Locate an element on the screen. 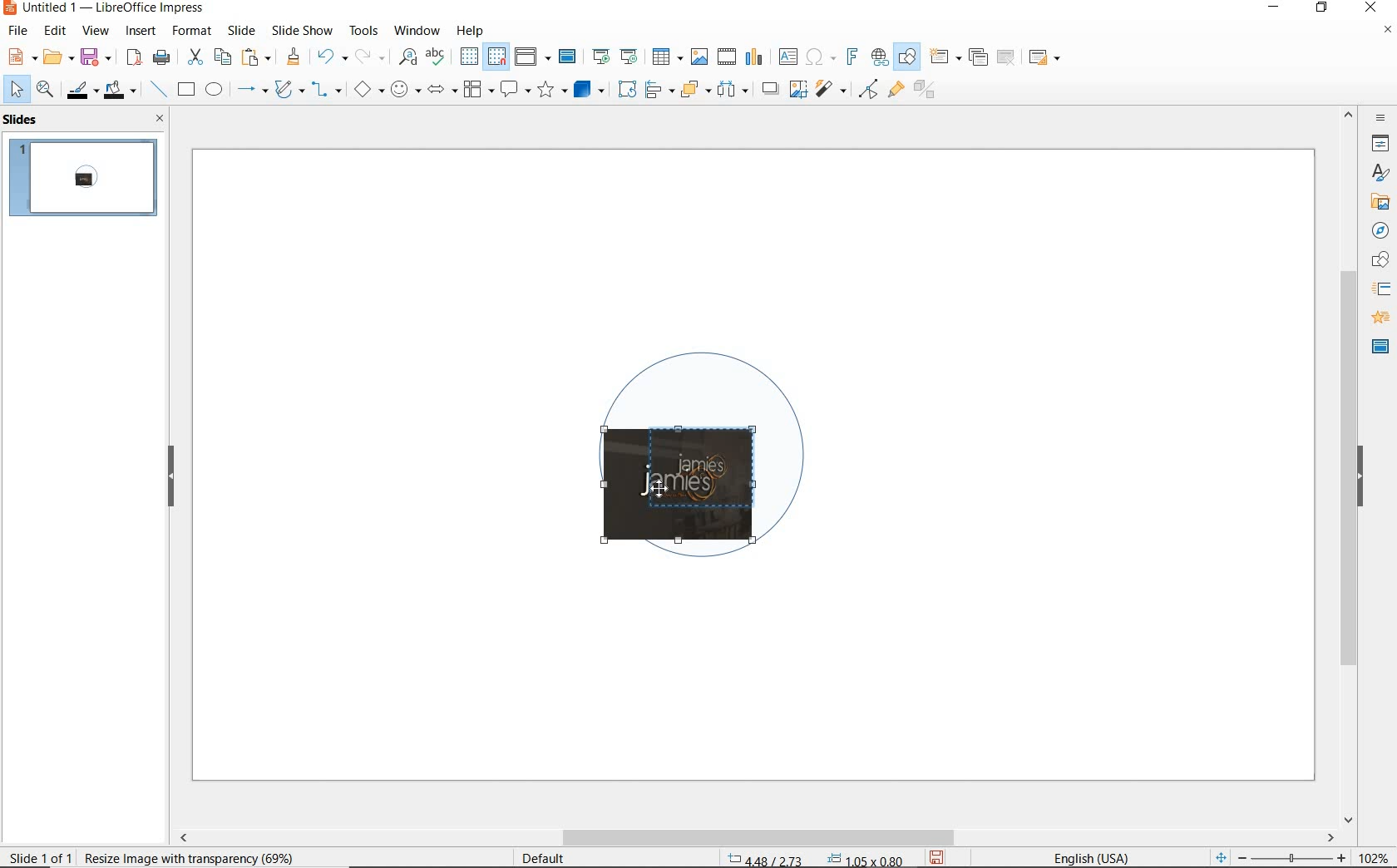 The height and width of the screenshot is (868, 1397). properties is located at coordinates (1379, 143).